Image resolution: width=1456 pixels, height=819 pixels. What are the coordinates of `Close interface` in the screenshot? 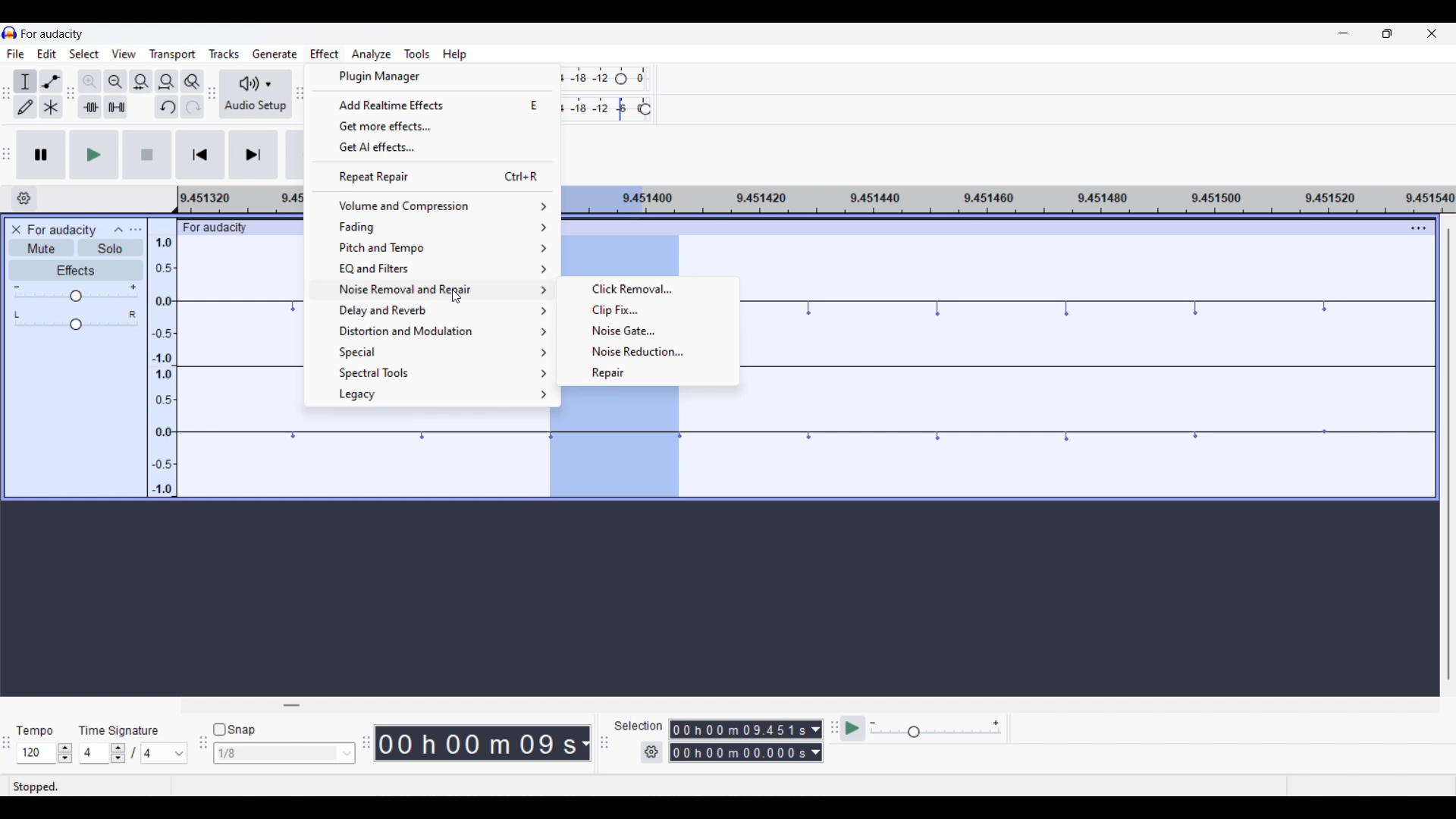 It's located at (1432, 33).